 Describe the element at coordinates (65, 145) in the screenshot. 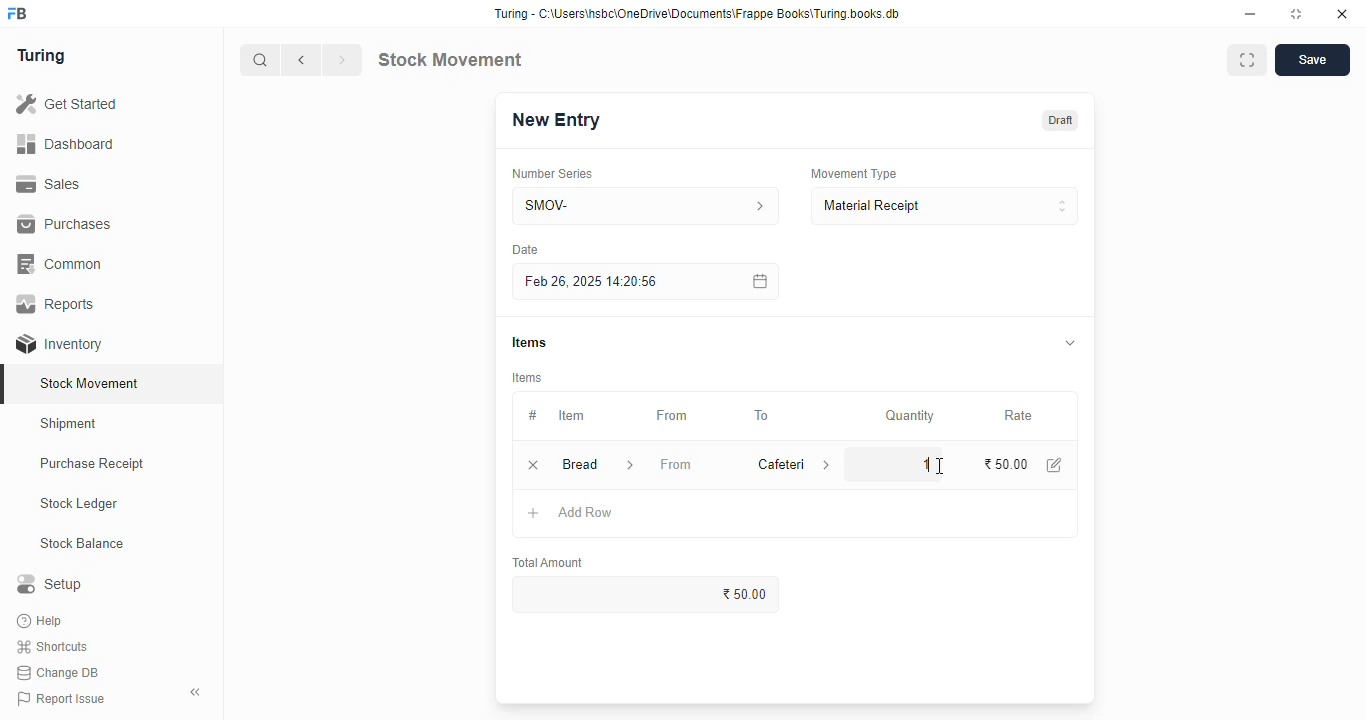

I see `dashboard` at that location.